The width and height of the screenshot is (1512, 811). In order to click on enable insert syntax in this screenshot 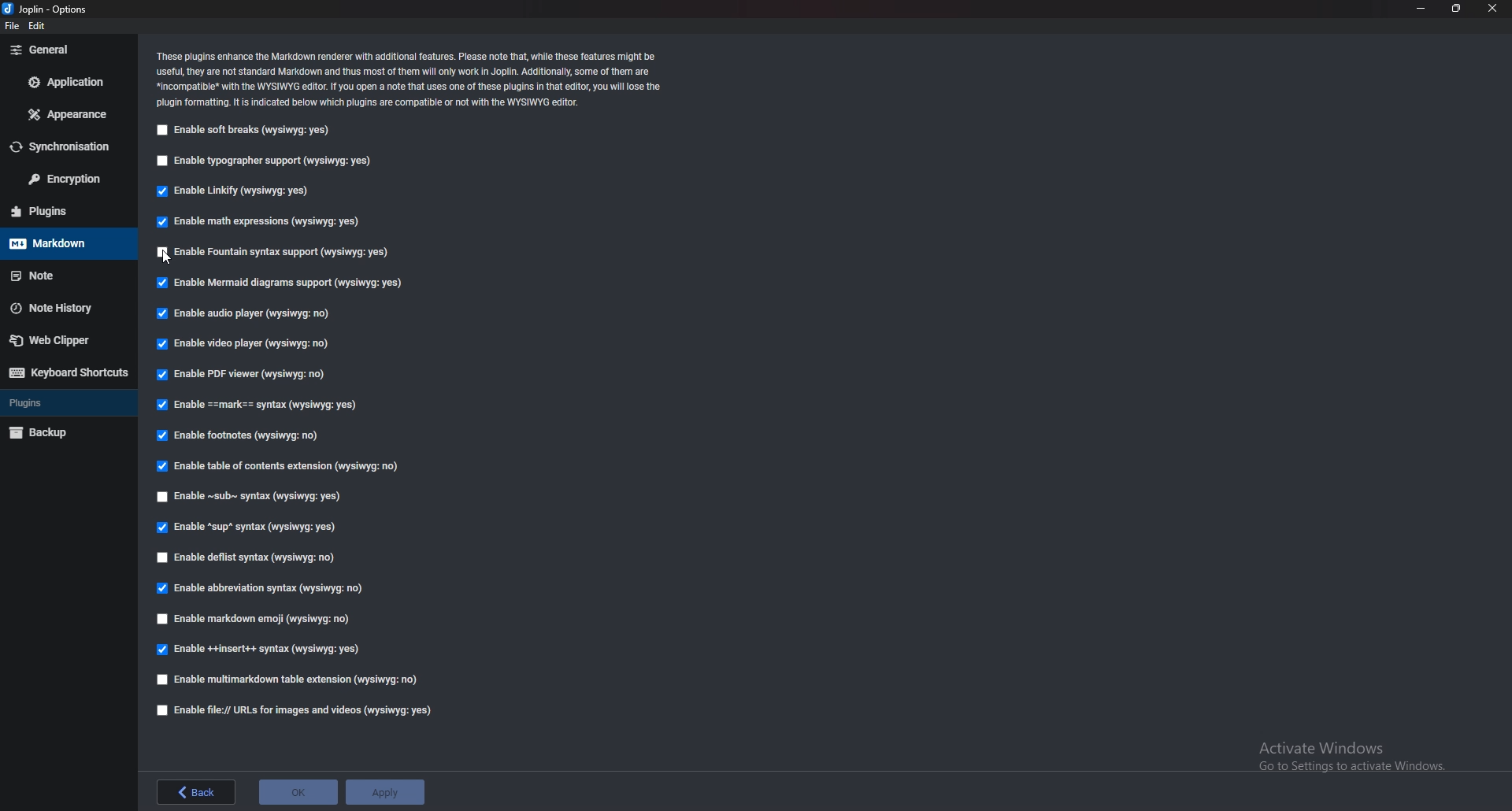, I will do `click(260, 650)`.